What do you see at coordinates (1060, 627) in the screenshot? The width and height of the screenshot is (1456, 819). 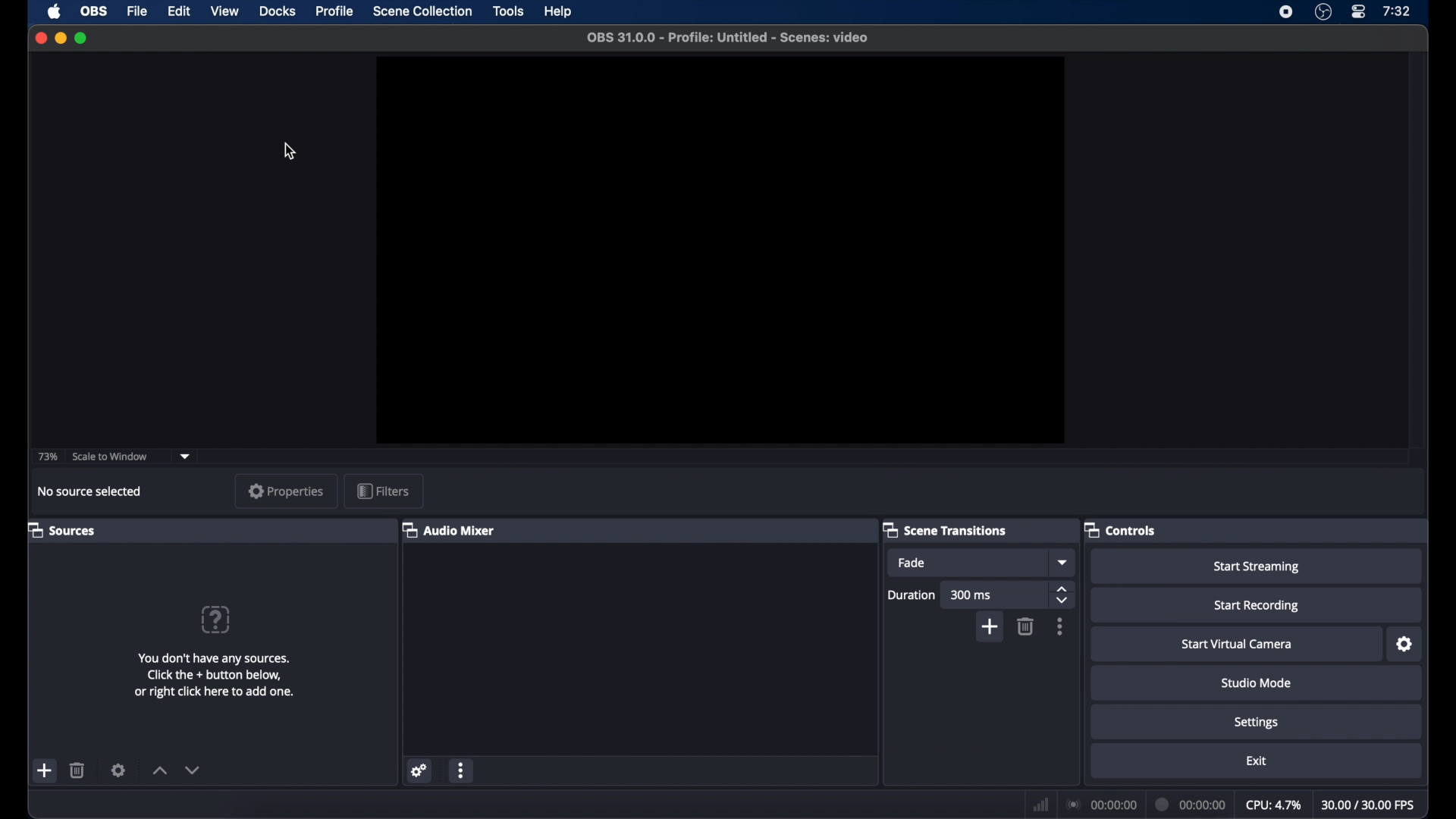 I see `more options` at bounding box center [1060, 627].